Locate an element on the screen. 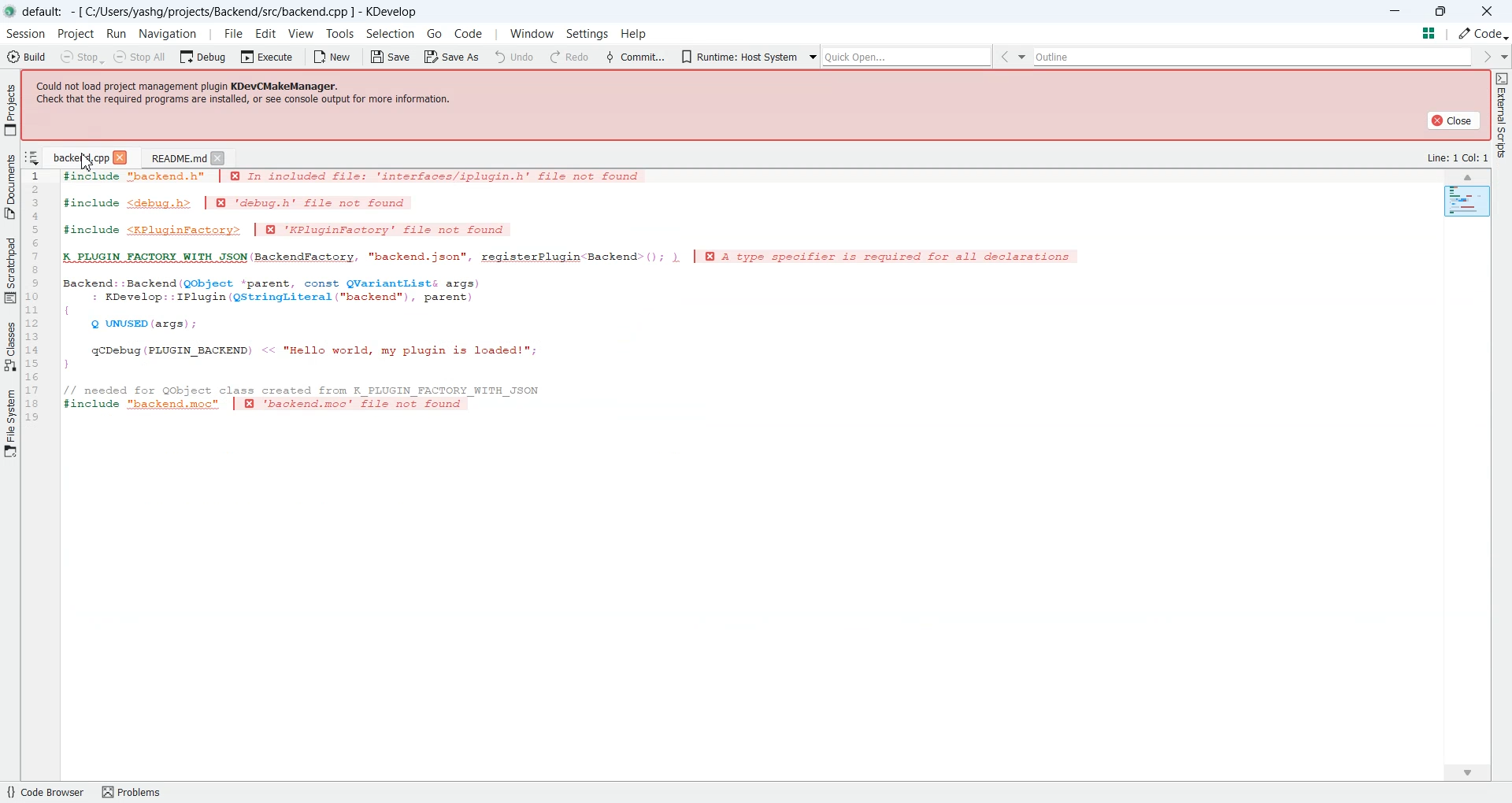 Image resolution: width=1512 pixels, height=803 pixels. Close is located at coordinates (1487, 10).